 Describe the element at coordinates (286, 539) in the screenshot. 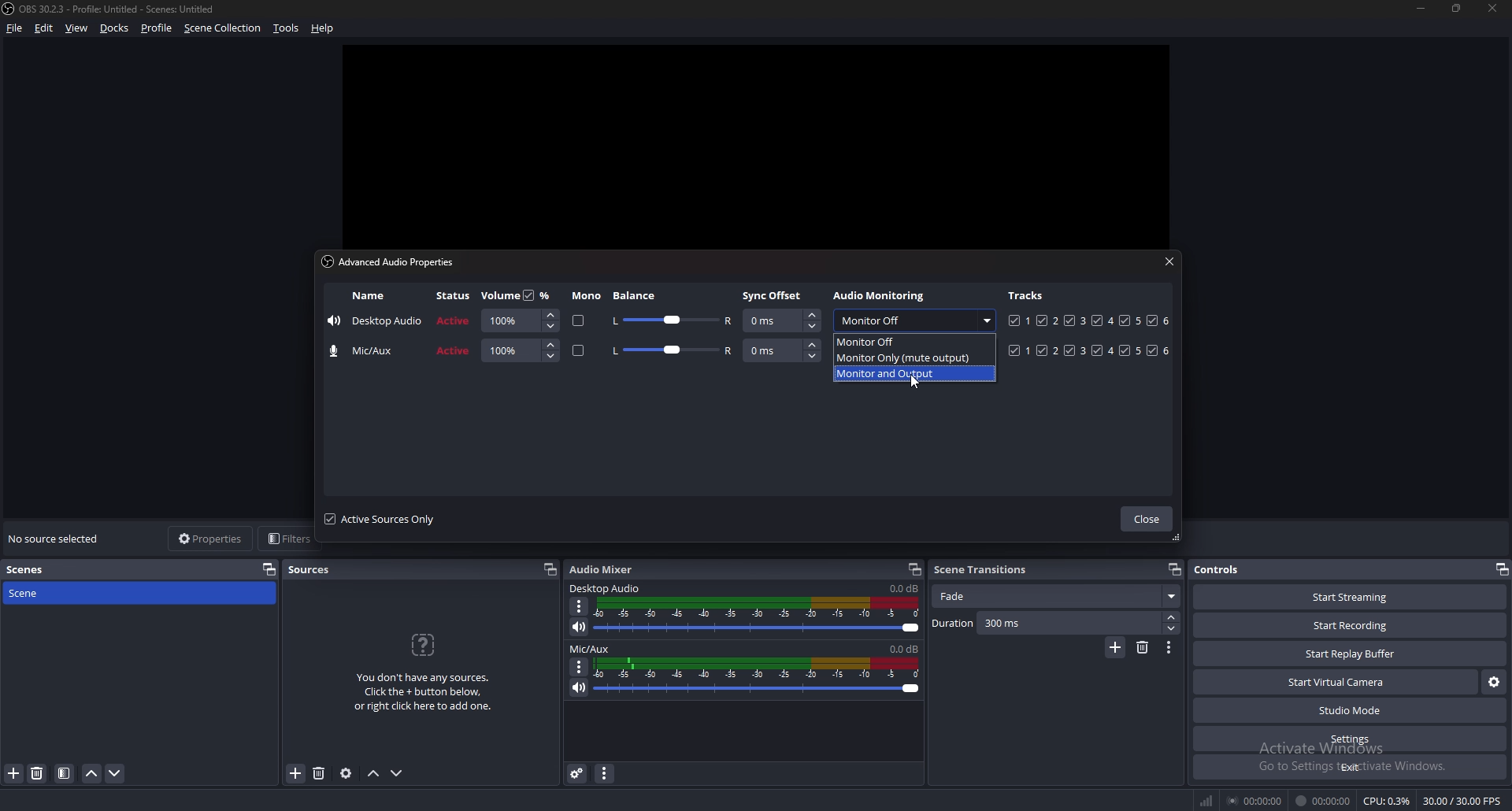

I see `filters` at that location.